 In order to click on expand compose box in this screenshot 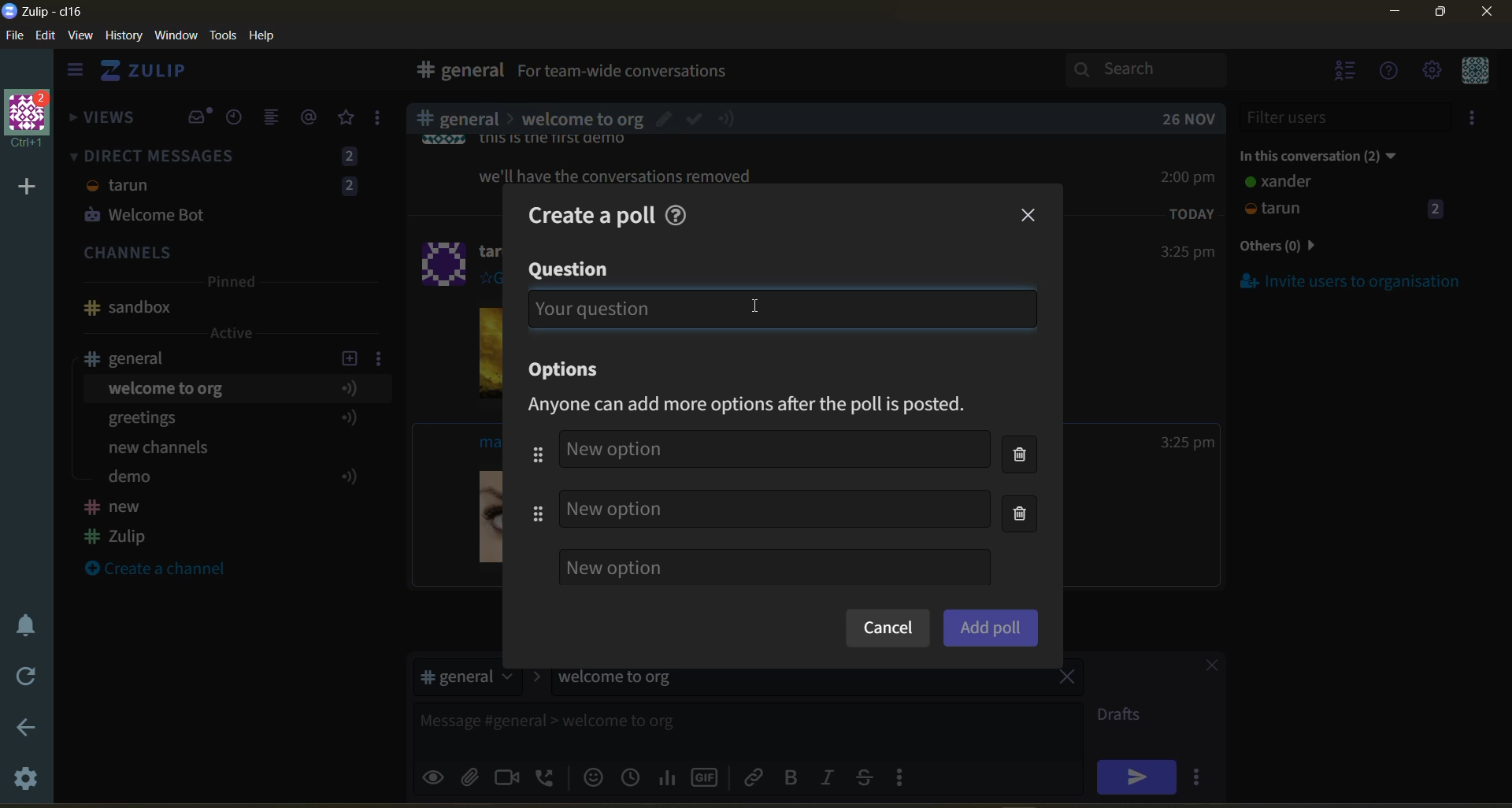, I will do `click(1068, 715)`.